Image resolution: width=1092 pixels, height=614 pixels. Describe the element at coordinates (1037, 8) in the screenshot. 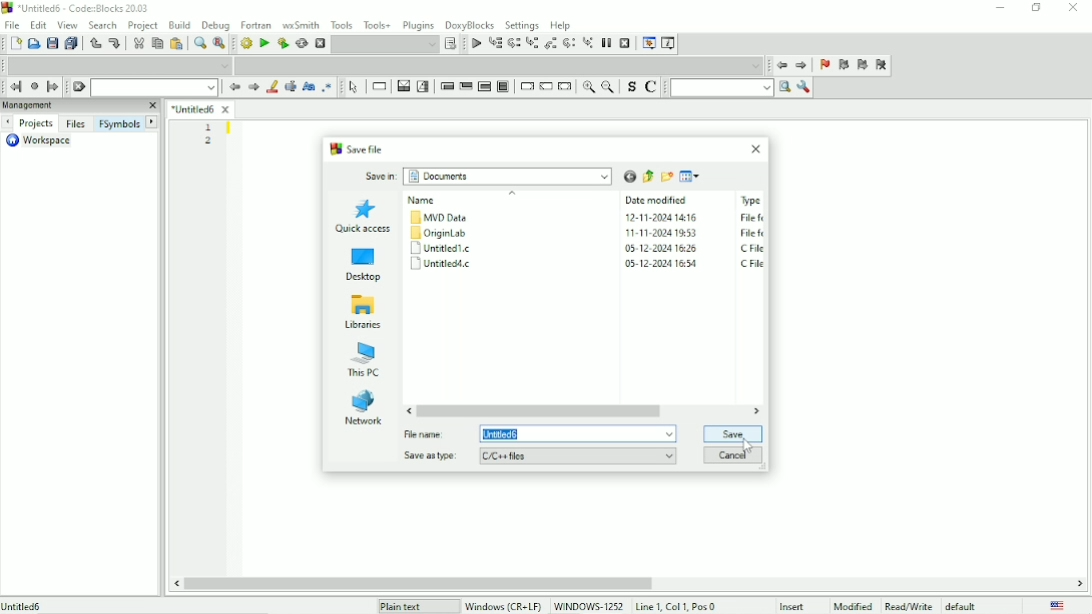

I see `Restore down` at that location.